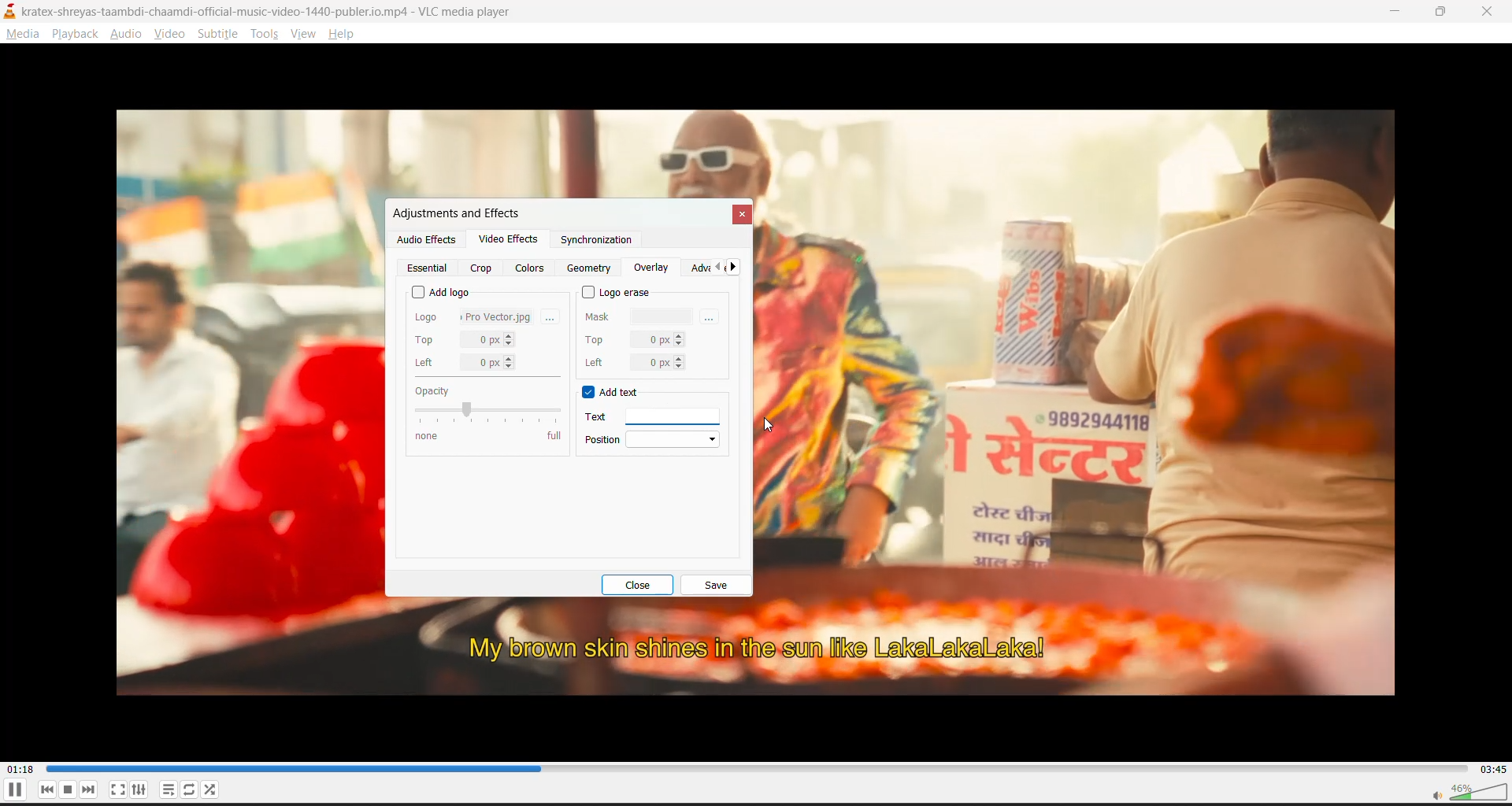  Describe the element at coordinates (75, 34) in the screenshot. I see `playback` at that location.